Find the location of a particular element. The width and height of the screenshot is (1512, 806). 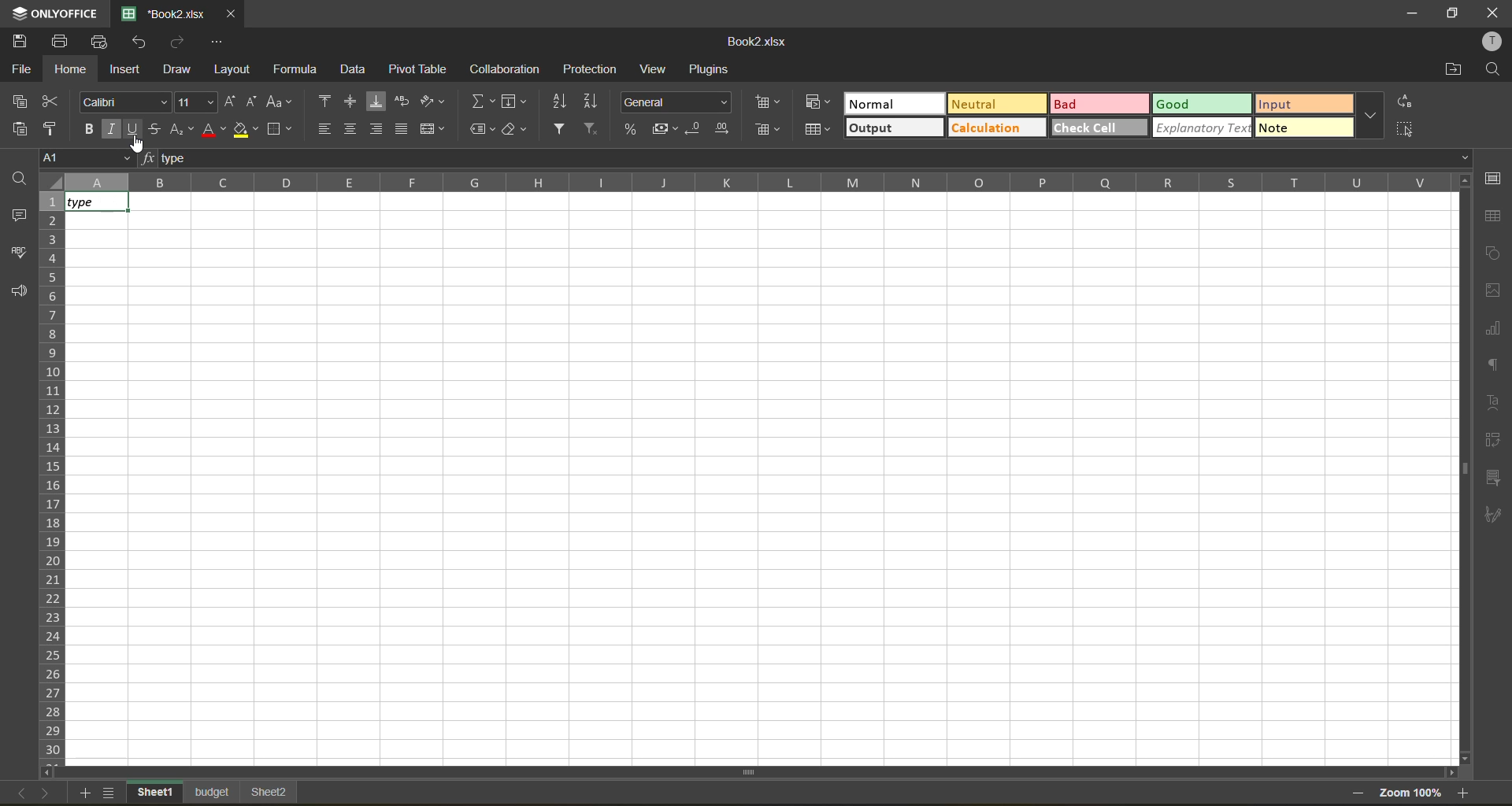

decrease decimal is located at coordinates (695, 129).